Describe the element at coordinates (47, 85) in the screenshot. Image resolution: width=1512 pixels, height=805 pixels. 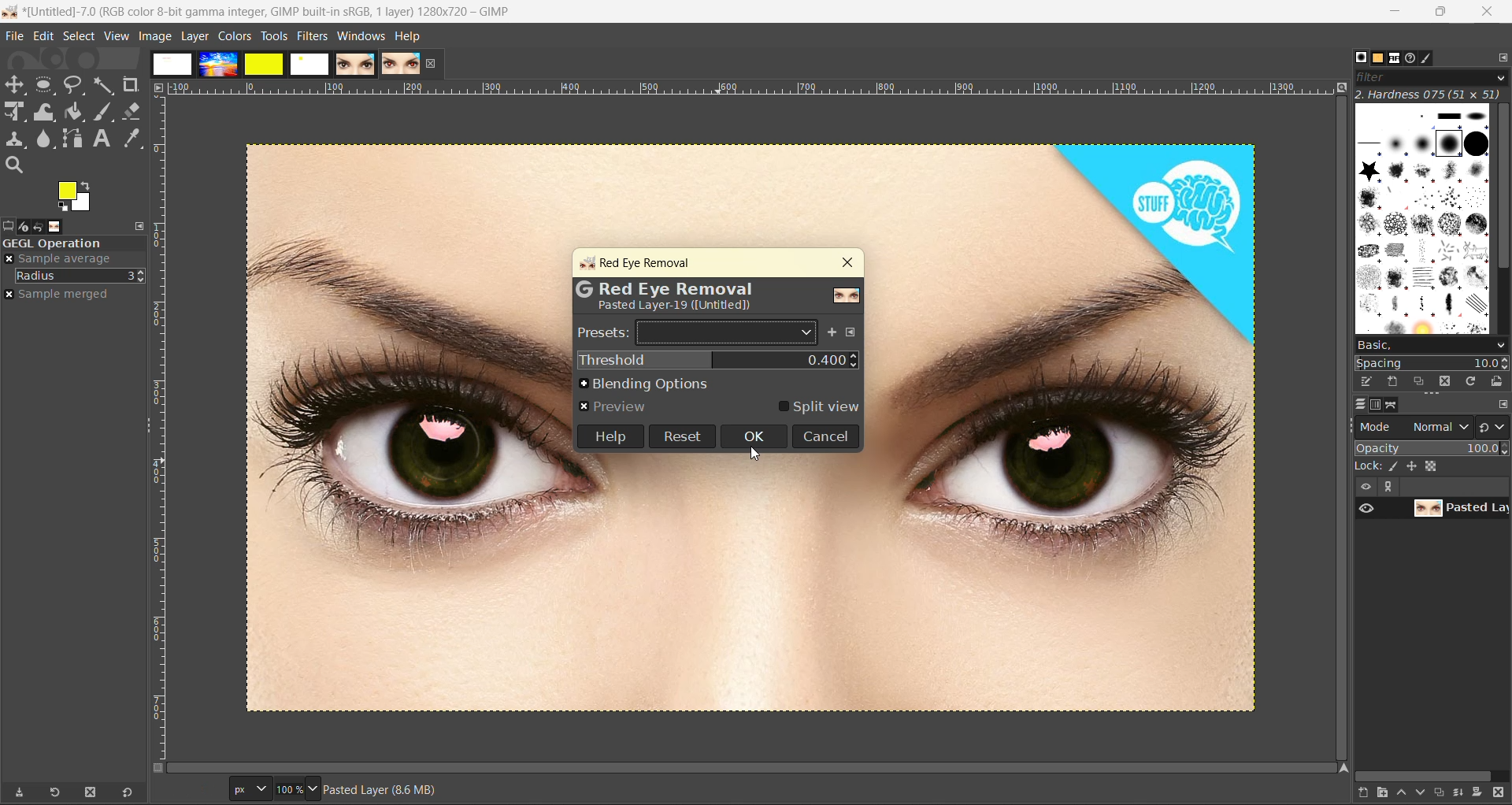
I see `rectangle select` at that location.